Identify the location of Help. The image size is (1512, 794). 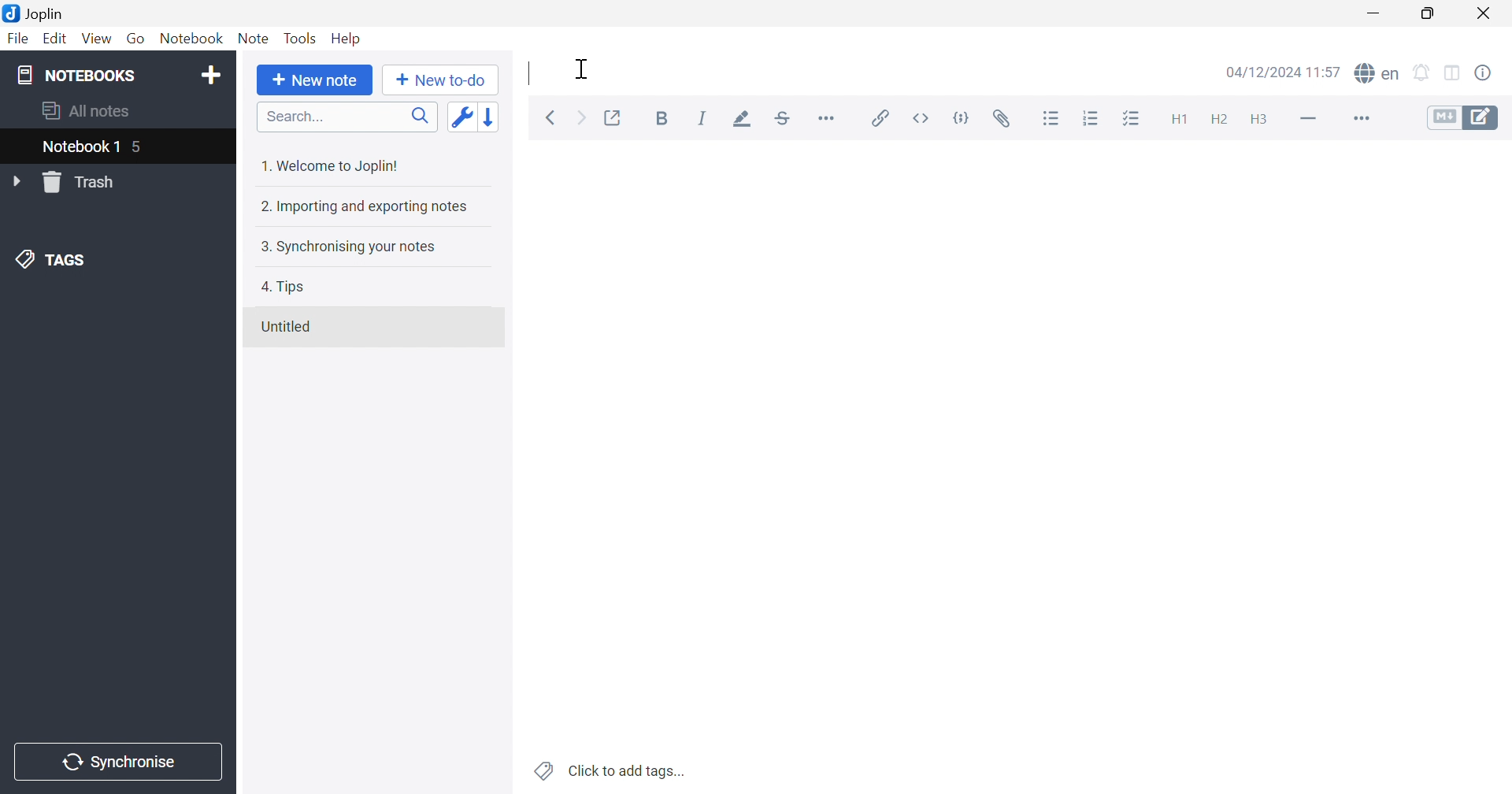
(346, 38).